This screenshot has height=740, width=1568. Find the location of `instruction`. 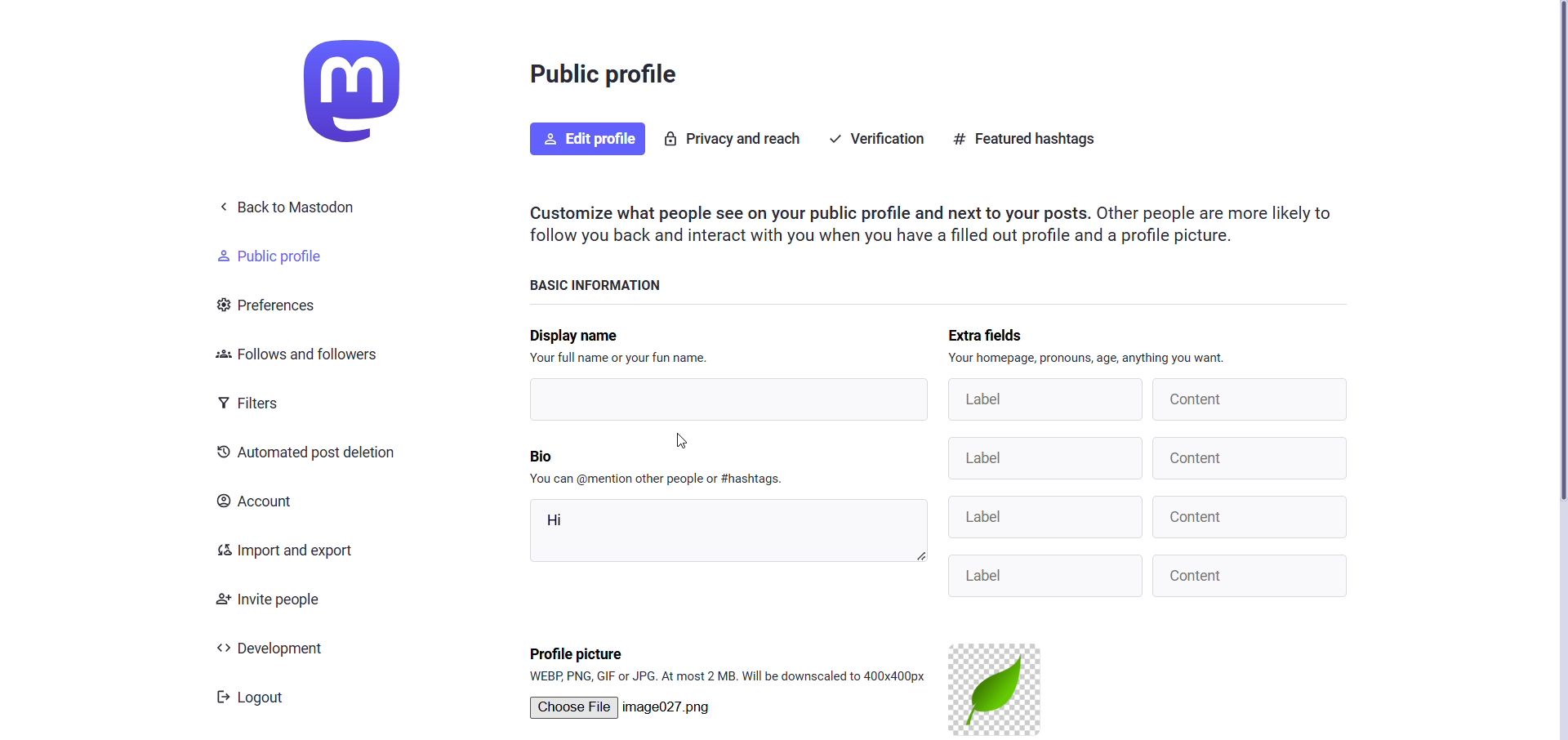

instruction is located at coordinates (656, 480).